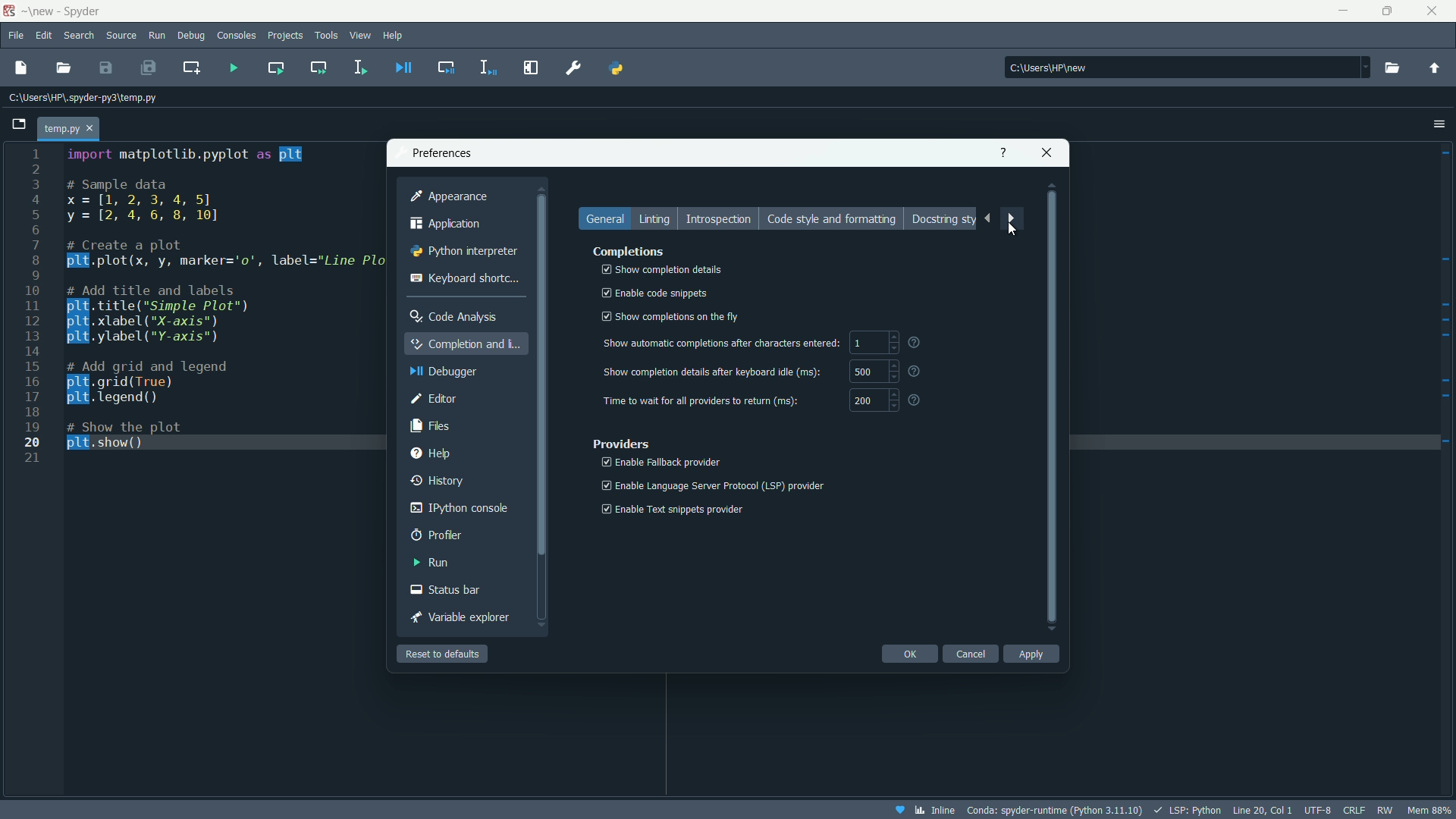 The image size is (1456, 819). What do you see at coordinates (72, 11) in the screenshot?
I see `~\new-Spyder` at bounding box center [72, 11].